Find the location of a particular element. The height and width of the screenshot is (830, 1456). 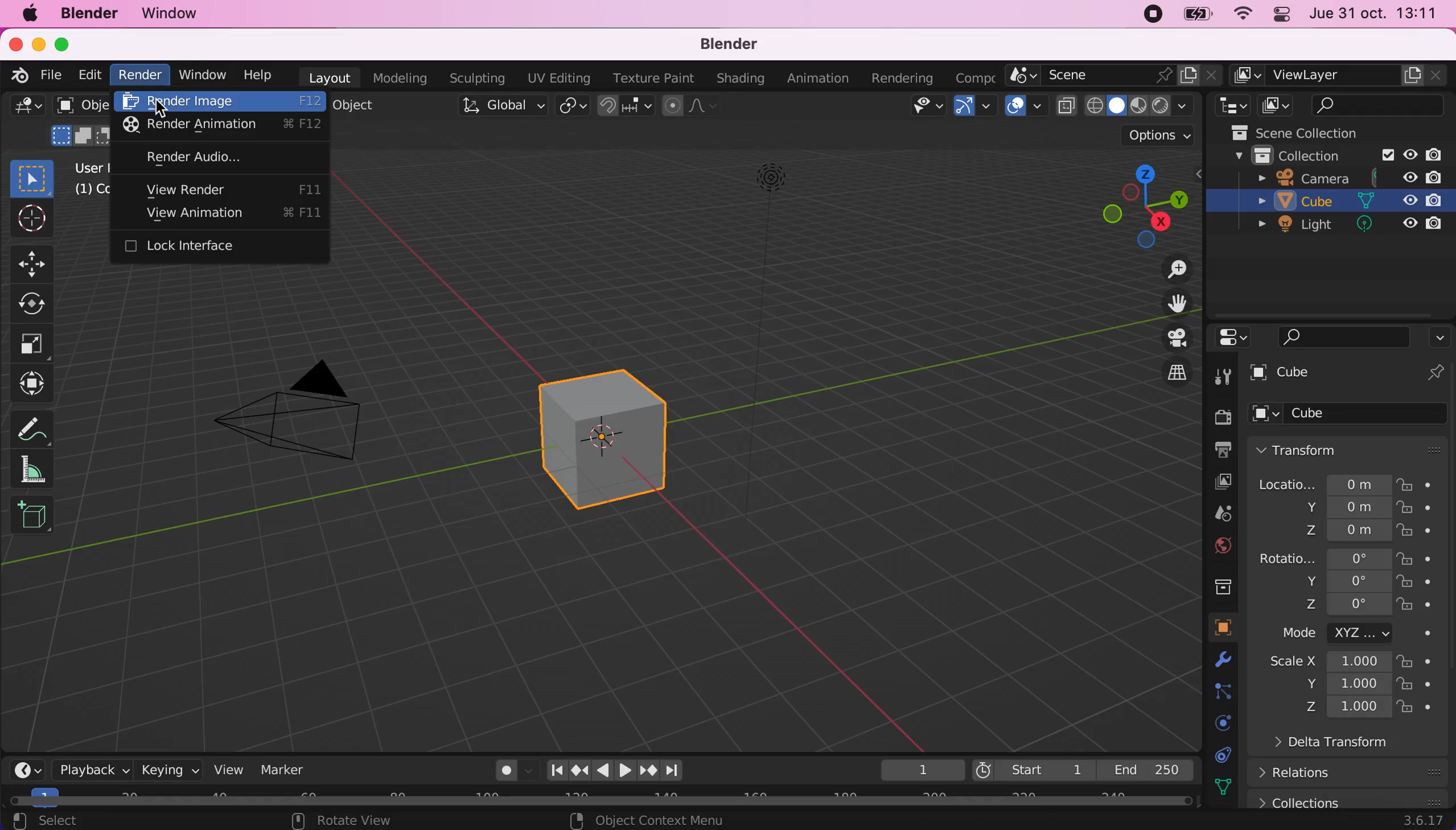

light is located at coordinates (769, 194).